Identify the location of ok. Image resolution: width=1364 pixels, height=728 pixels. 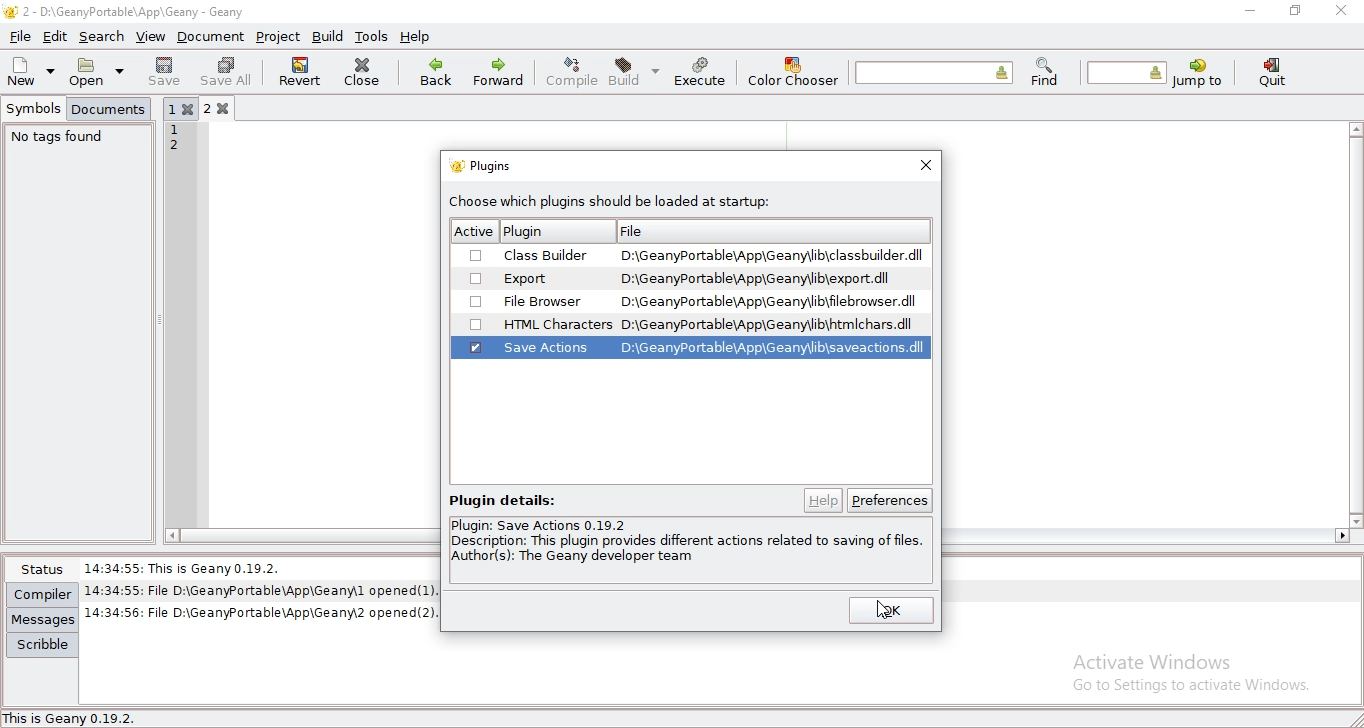
(890, 613).